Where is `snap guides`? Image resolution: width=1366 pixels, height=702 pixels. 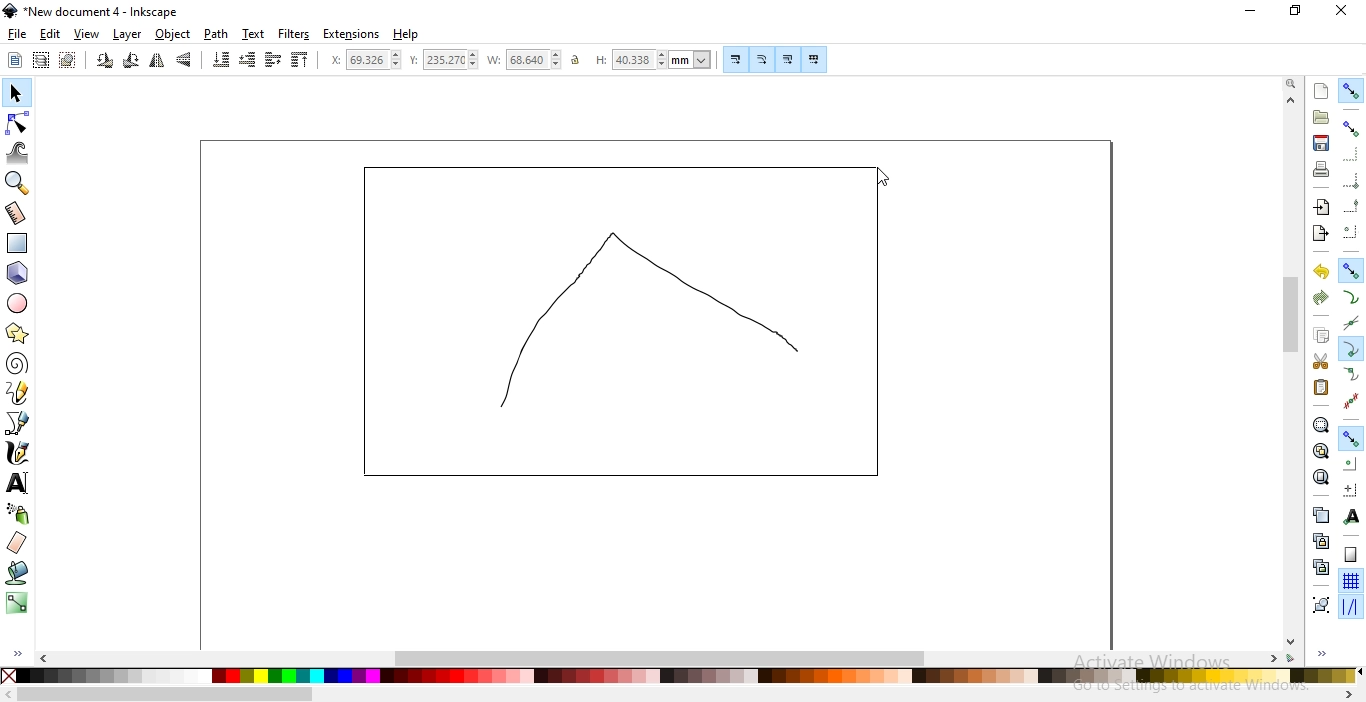 snap guides is located at coordinates (1348, 607).